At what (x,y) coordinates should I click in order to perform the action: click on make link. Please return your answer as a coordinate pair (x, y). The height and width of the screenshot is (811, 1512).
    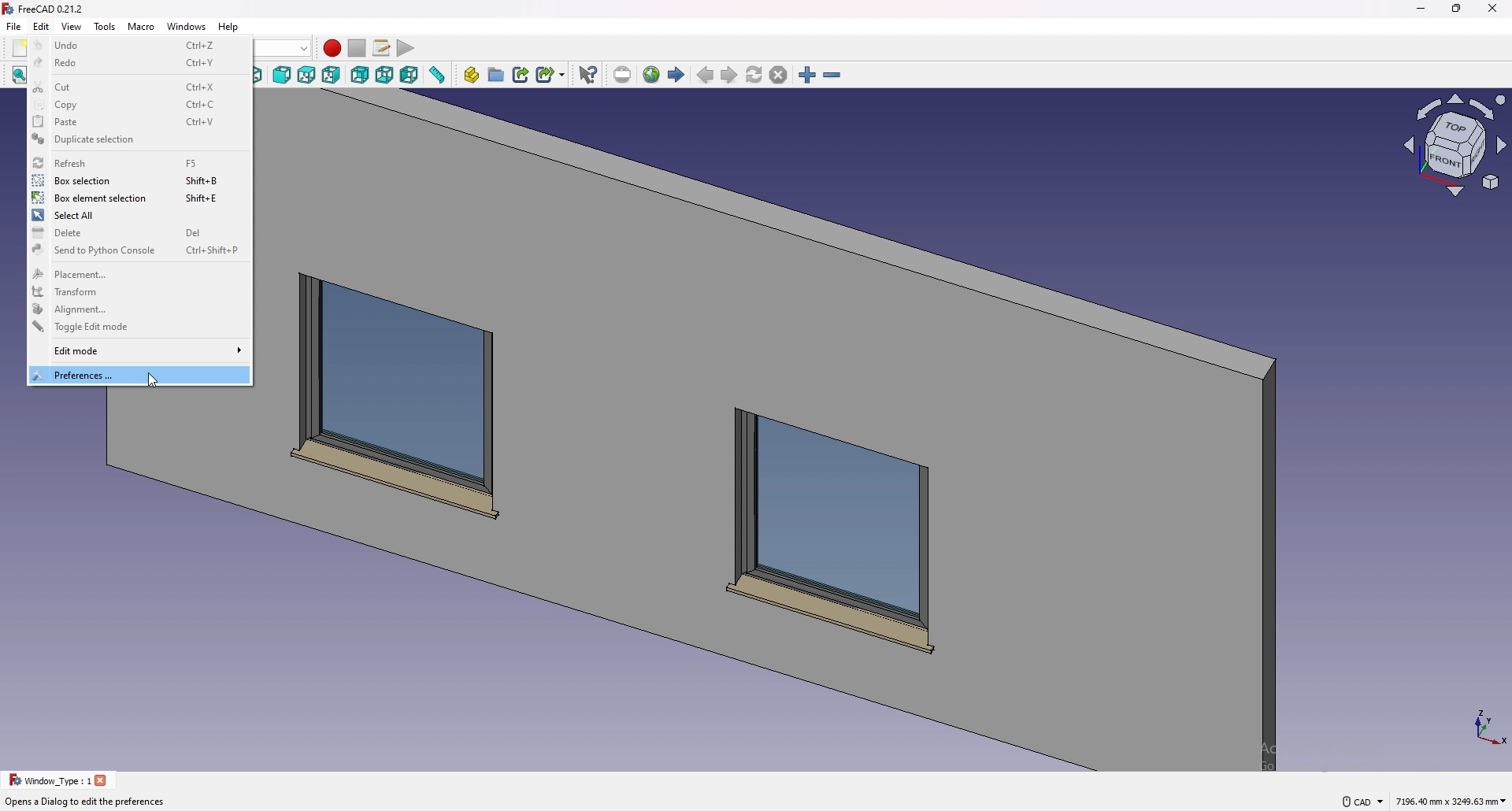
    Looking at the image, I should click on (522, 73).